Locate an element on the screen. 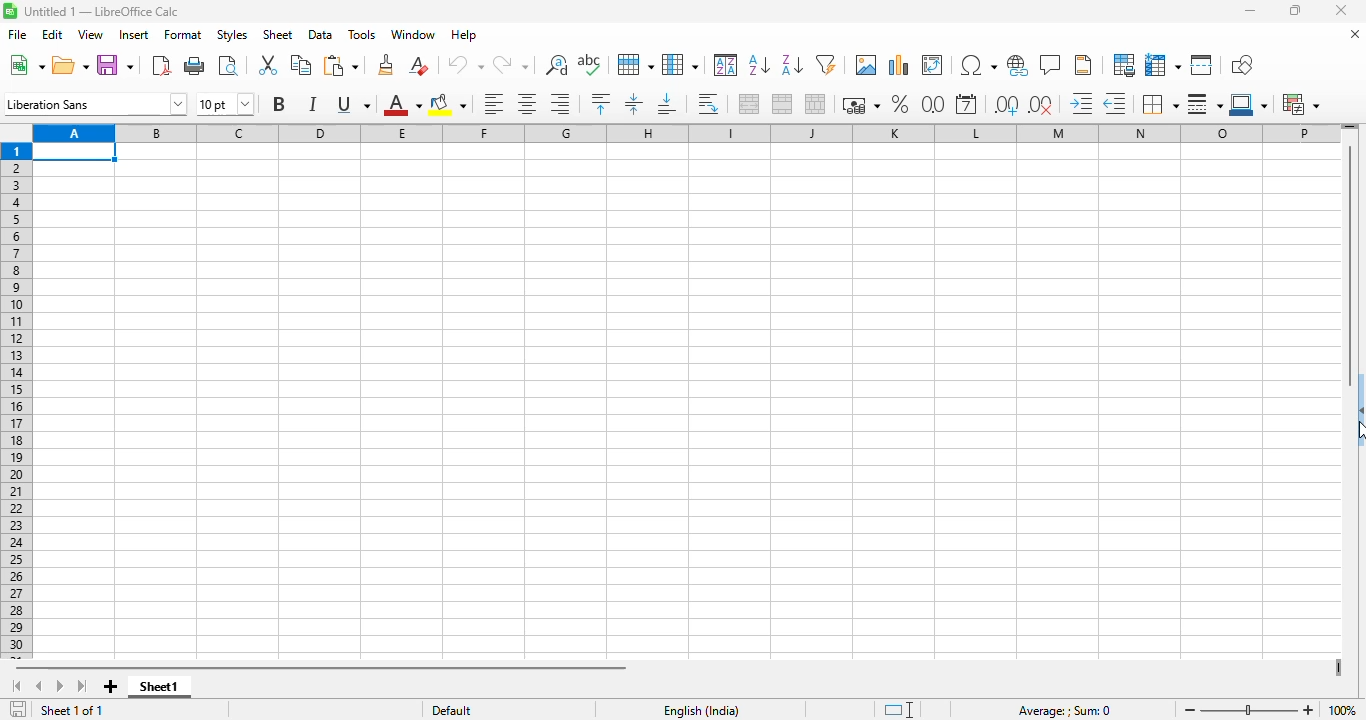 The width and height of the screenshot is (1366, 720). align center is located at coordinates (527, 104).